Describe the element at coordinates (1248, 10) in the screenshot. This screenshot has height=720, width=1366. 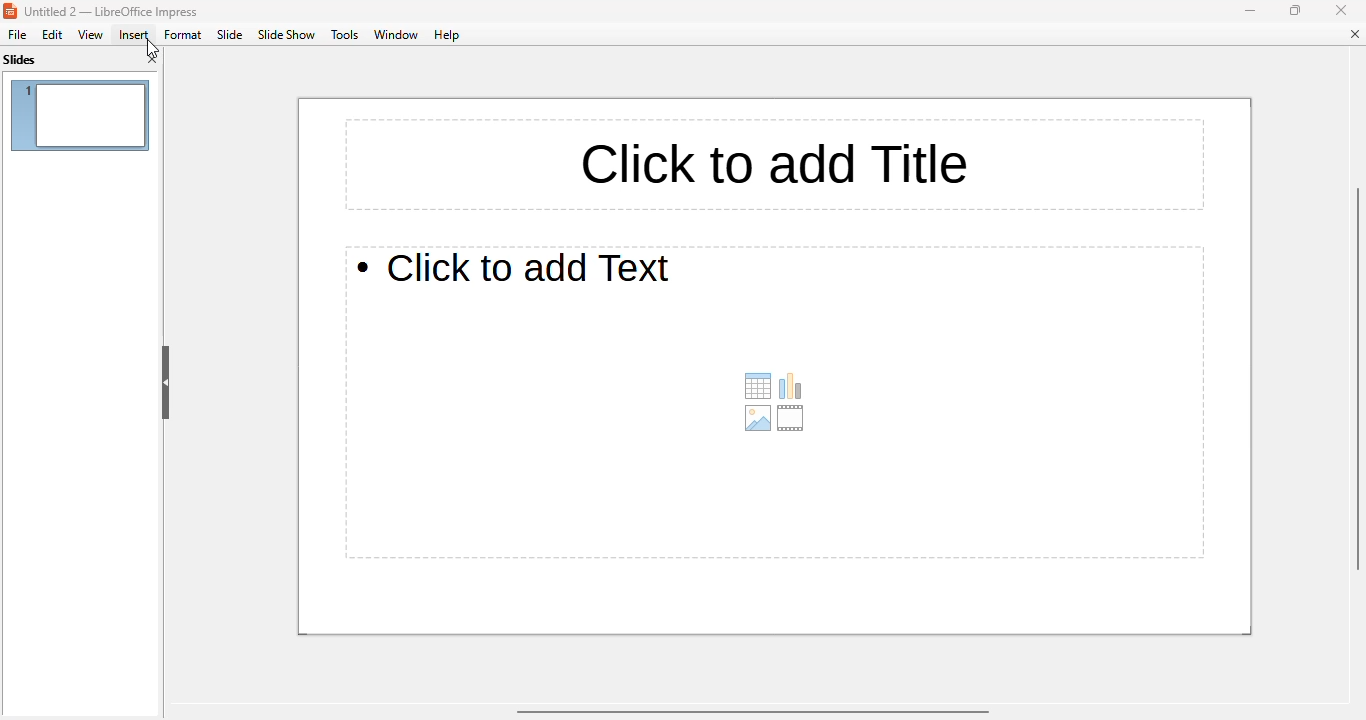
I see `minimize` at that location.